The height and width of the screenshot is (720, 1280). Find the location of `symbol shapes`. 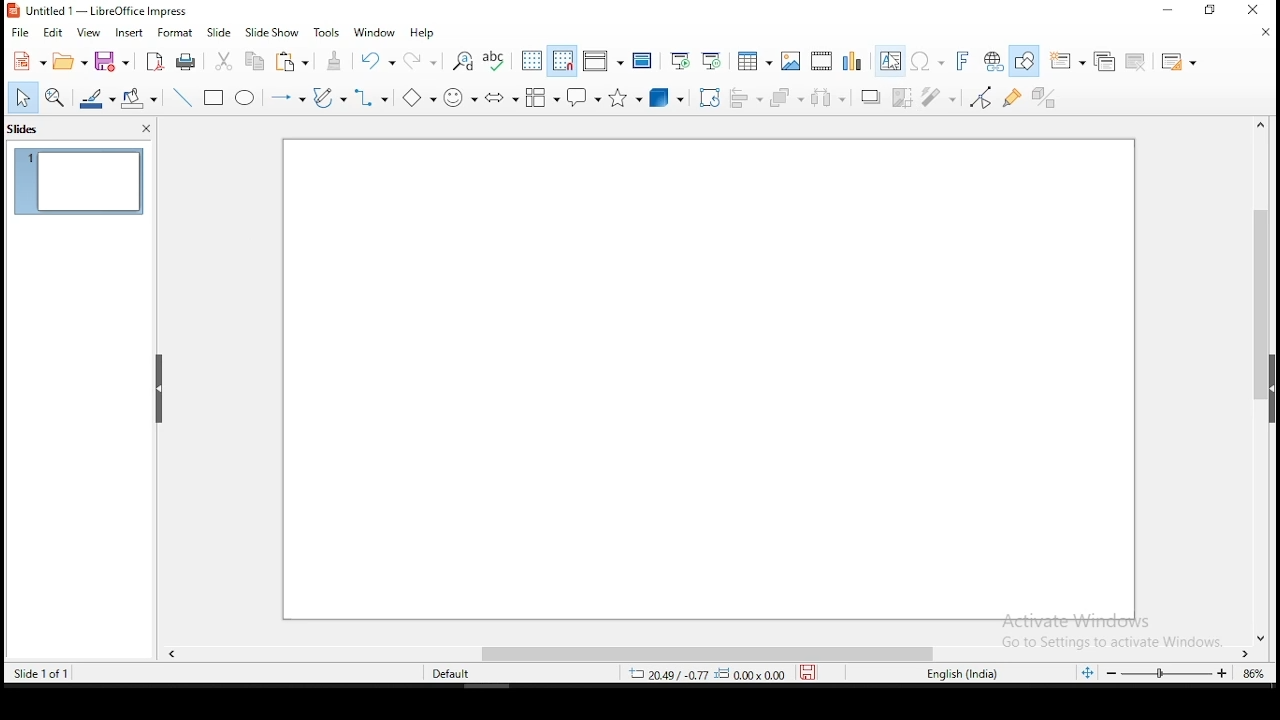

symbol shapes is located at coordinates (460, 99).